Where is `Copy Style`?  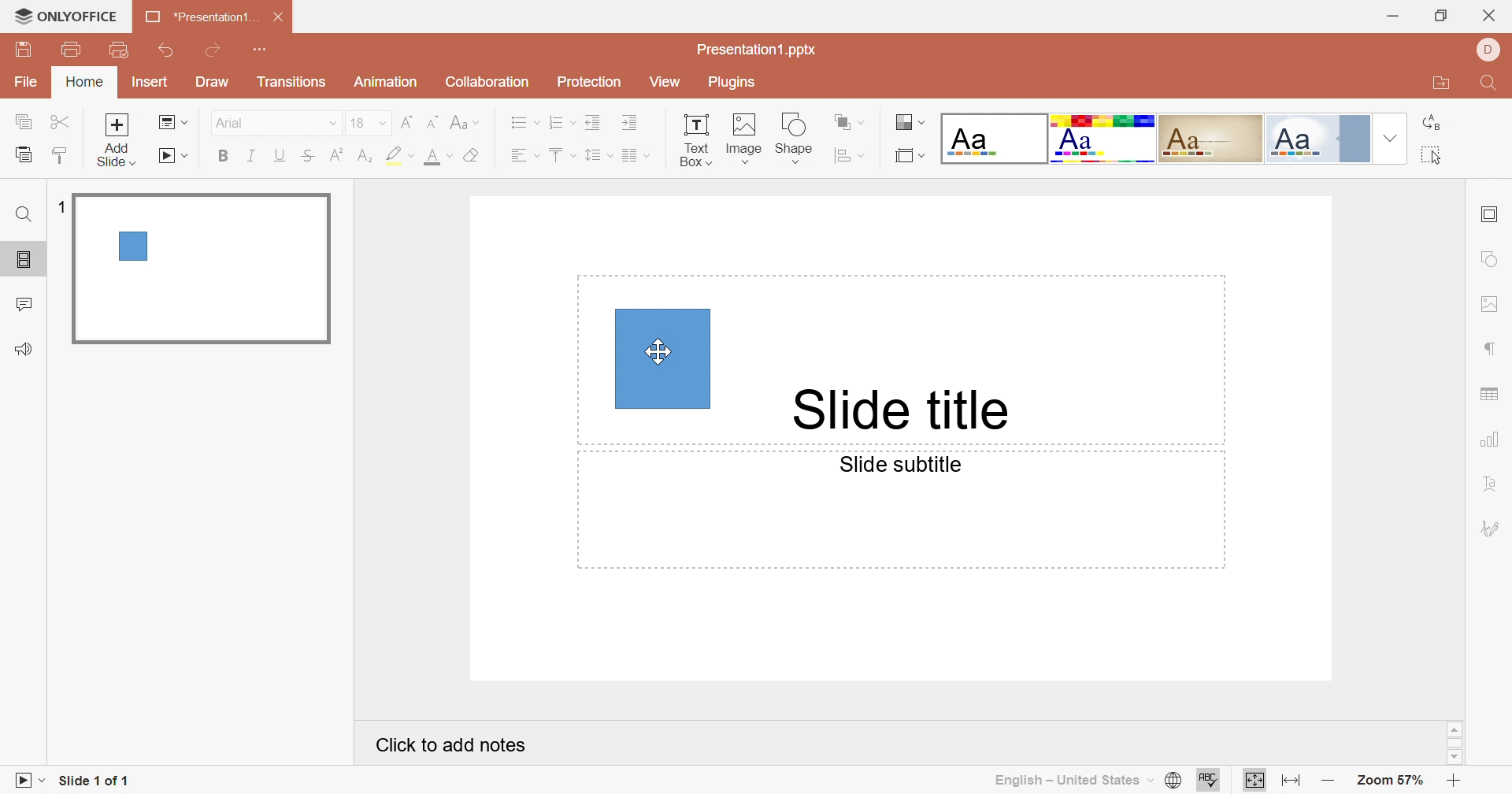 Copy Style is located at coordinates (56, 155).